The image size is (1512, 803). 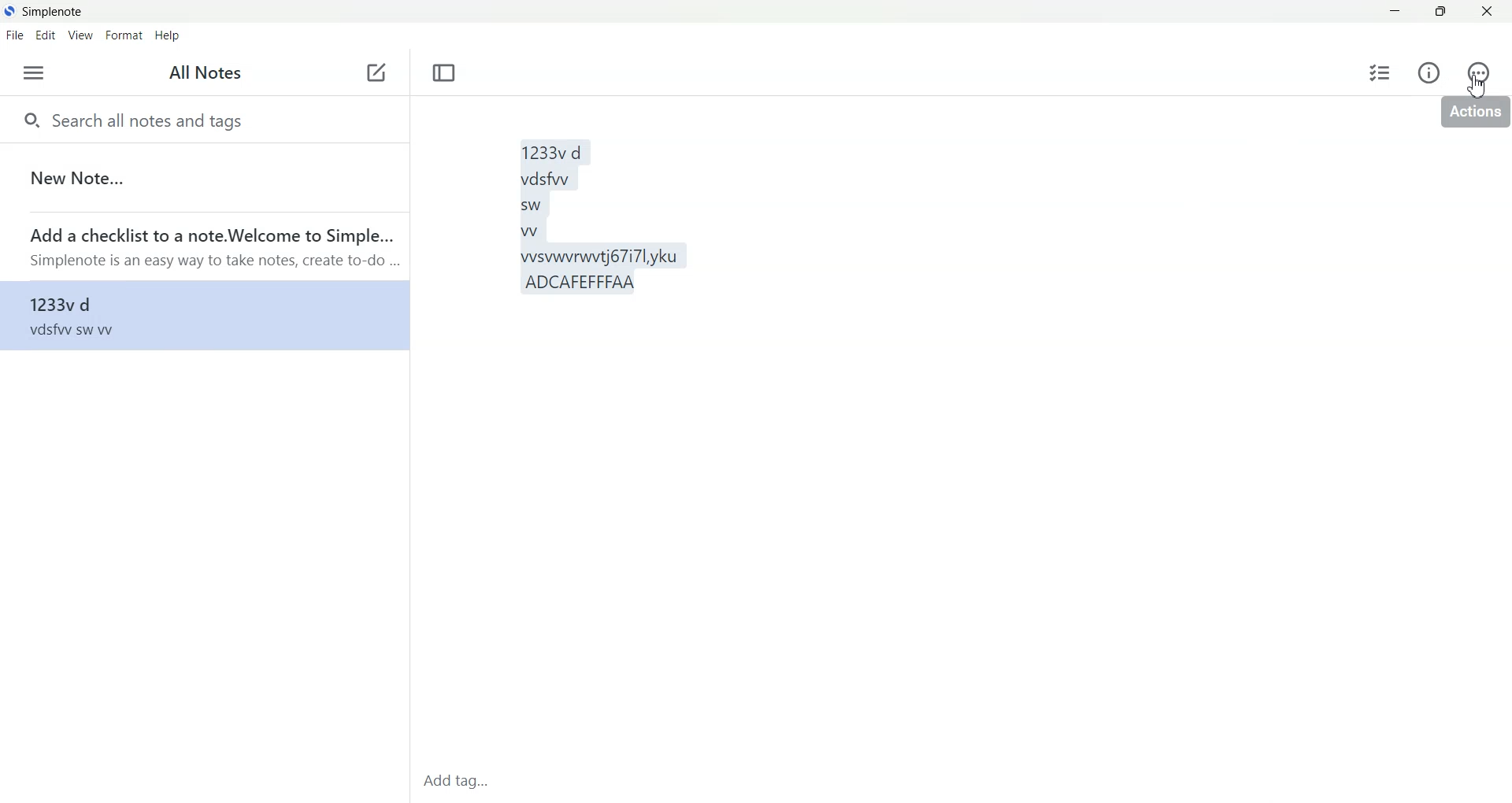 What do you see at coordinates (14, 35) in the screenshot?
I see `File` at bounding box center [14, 35].